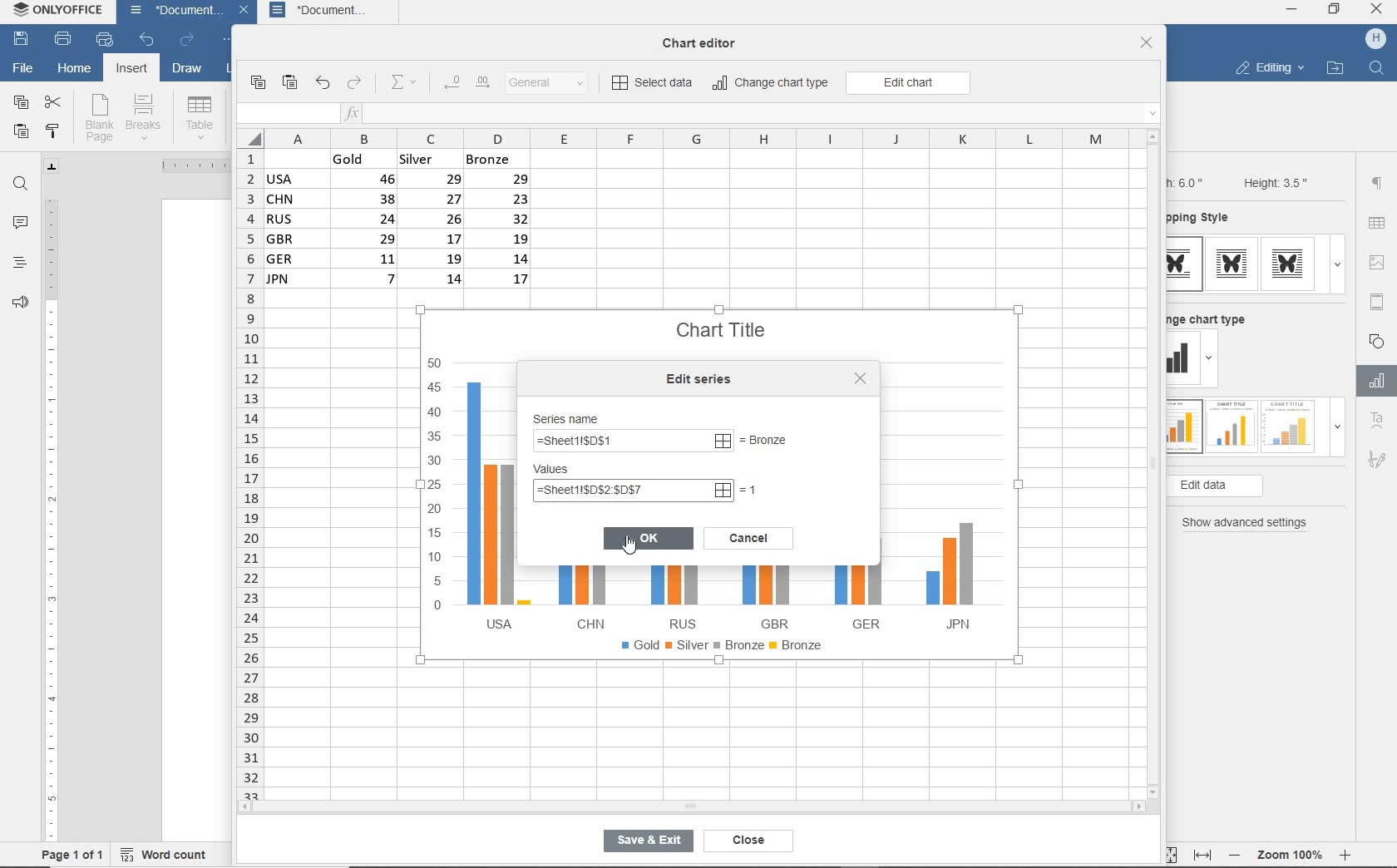 Image resolution: width=1397 pixels, height=868 pixels. Describe the element at coordinates (690, 806) in the screenshot. I see `horizontal scroll bar` at that location.